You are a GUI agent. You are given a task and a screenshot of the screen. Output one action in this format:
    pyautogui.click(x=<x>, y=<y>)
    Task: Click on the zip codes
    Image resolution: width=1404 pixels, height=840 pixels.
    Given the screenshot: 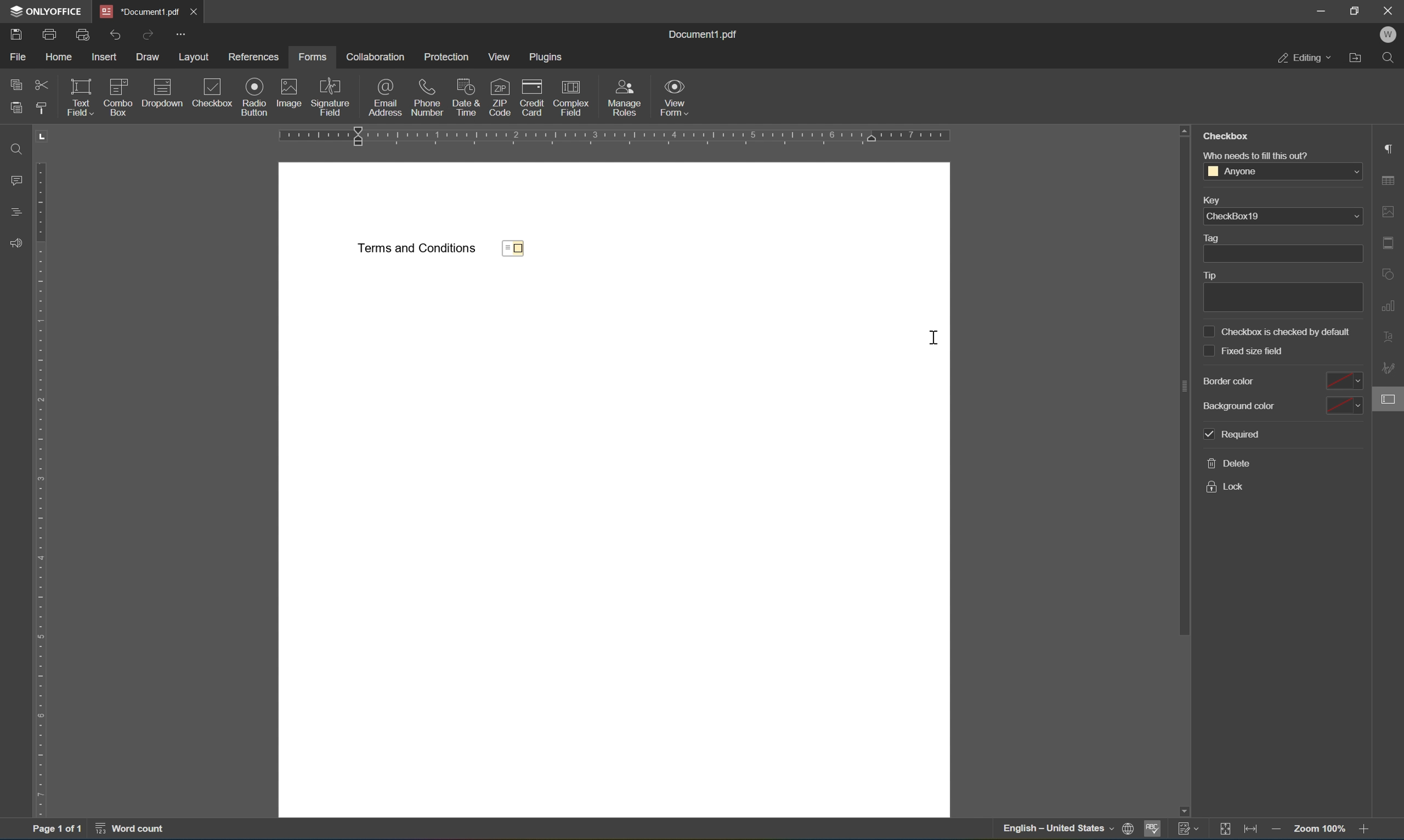 What is the action you would take?
    pyautogui.click(x=499, y=96)
    